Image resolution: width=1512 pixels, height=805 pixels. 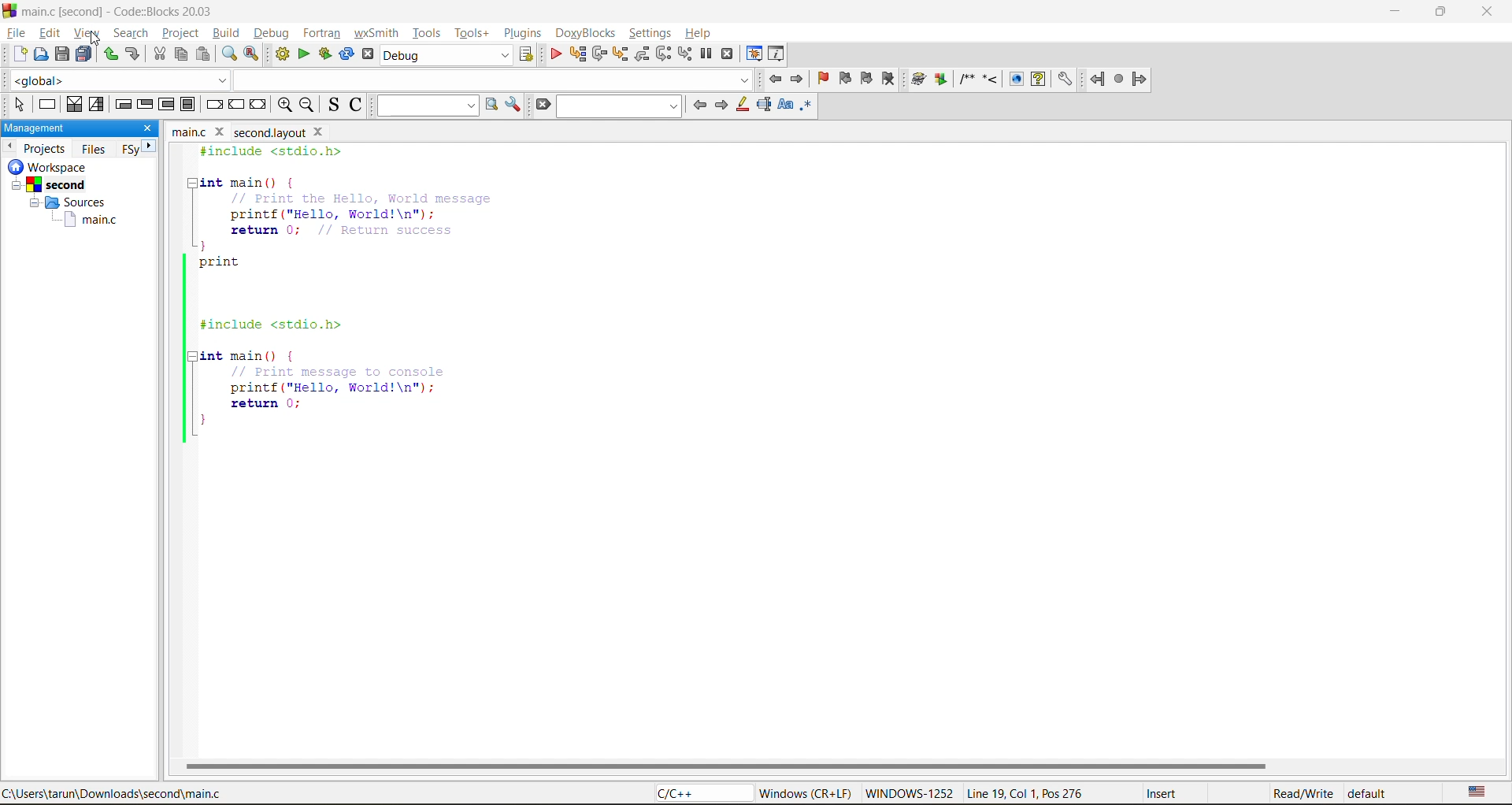 I want to click on exit condition loop, so click(x=146, y=103).